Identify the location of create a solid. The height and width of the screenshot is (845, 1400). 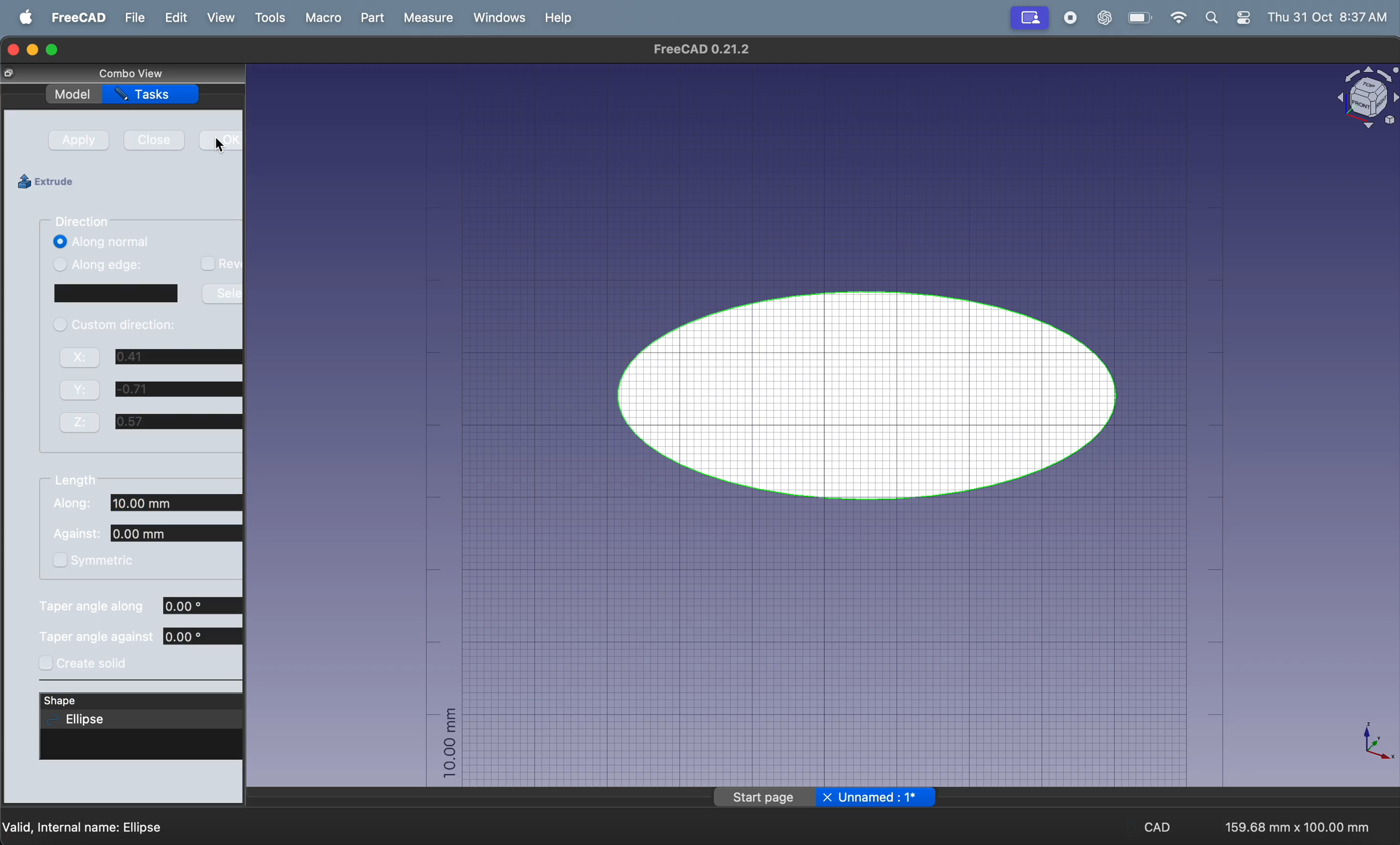
(89, 662).